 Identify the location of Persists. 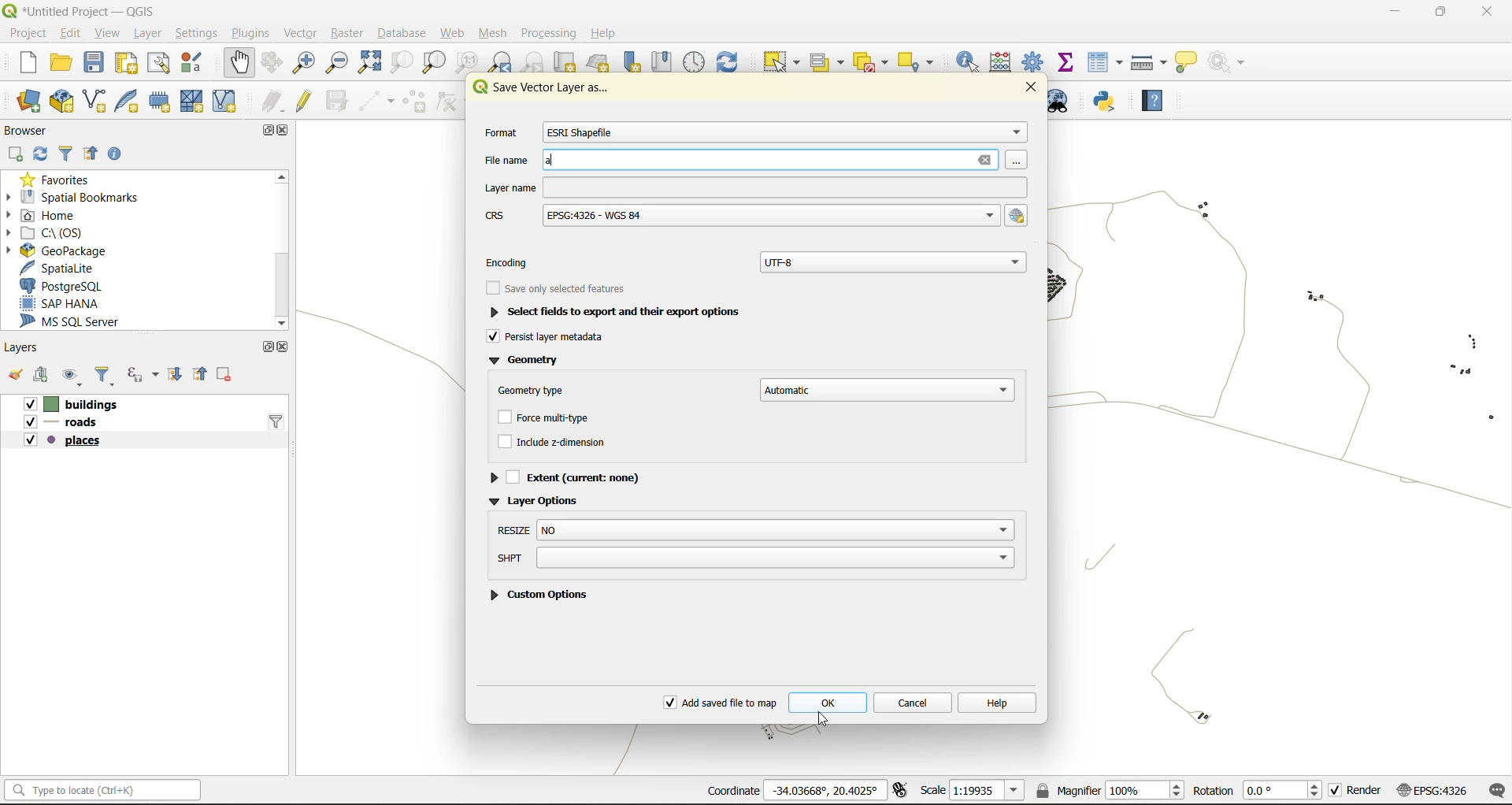
(547, 339).